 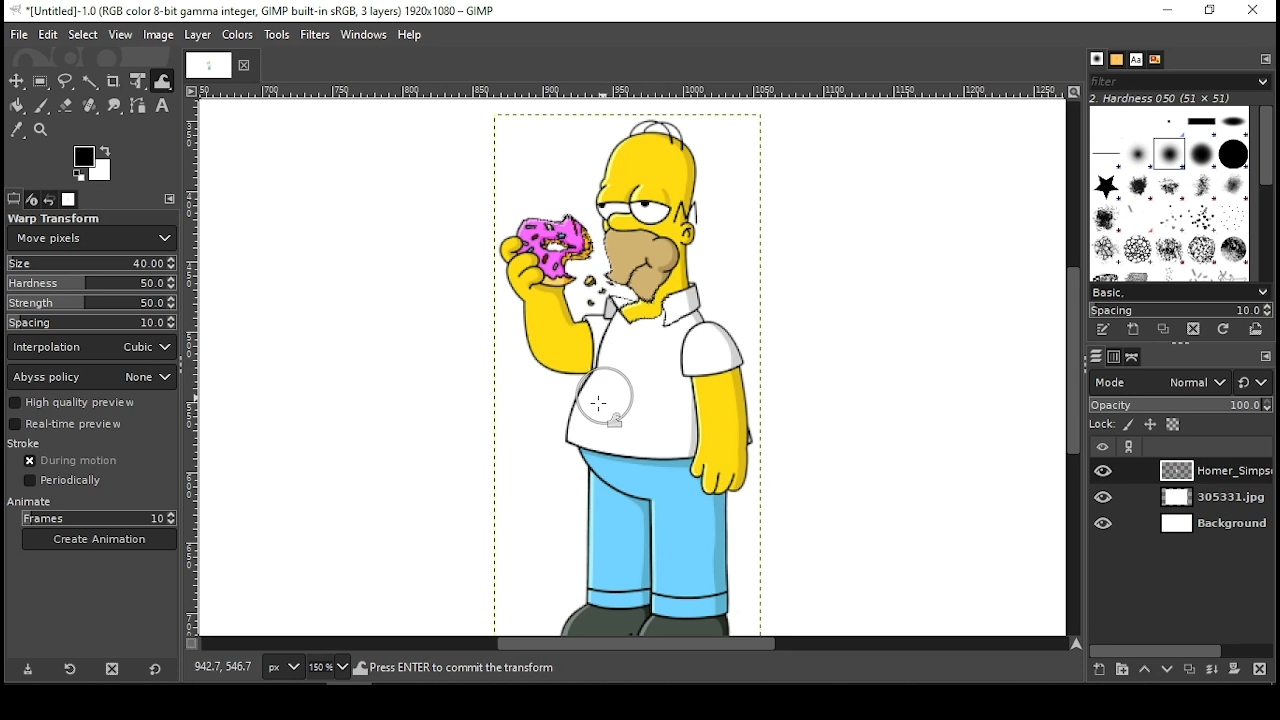 I want to click on windows, so click(x=363, y=34).